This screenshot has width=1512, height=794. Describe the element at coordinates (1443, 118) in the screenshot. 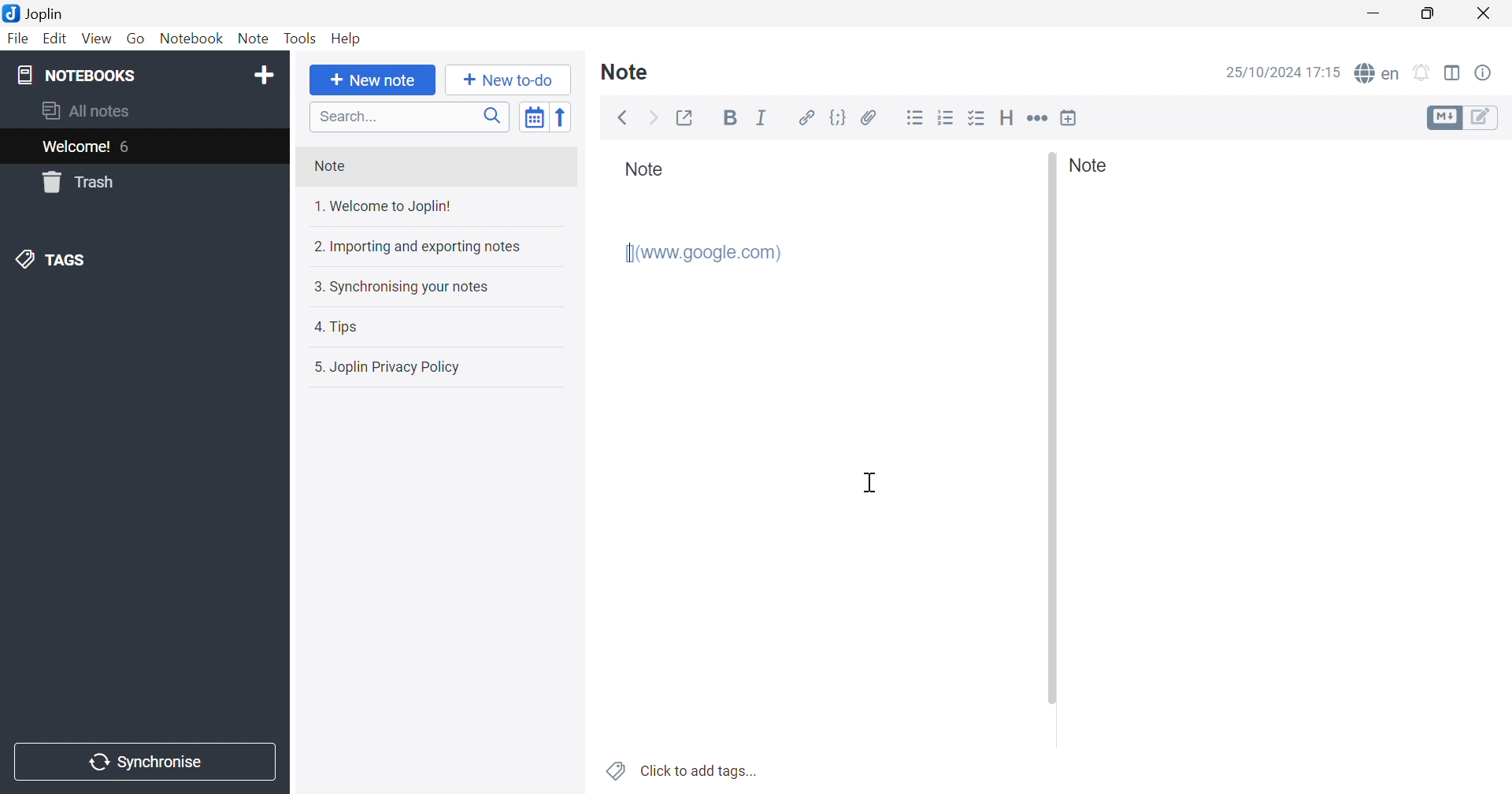

I see `Toggle editors` at that location.